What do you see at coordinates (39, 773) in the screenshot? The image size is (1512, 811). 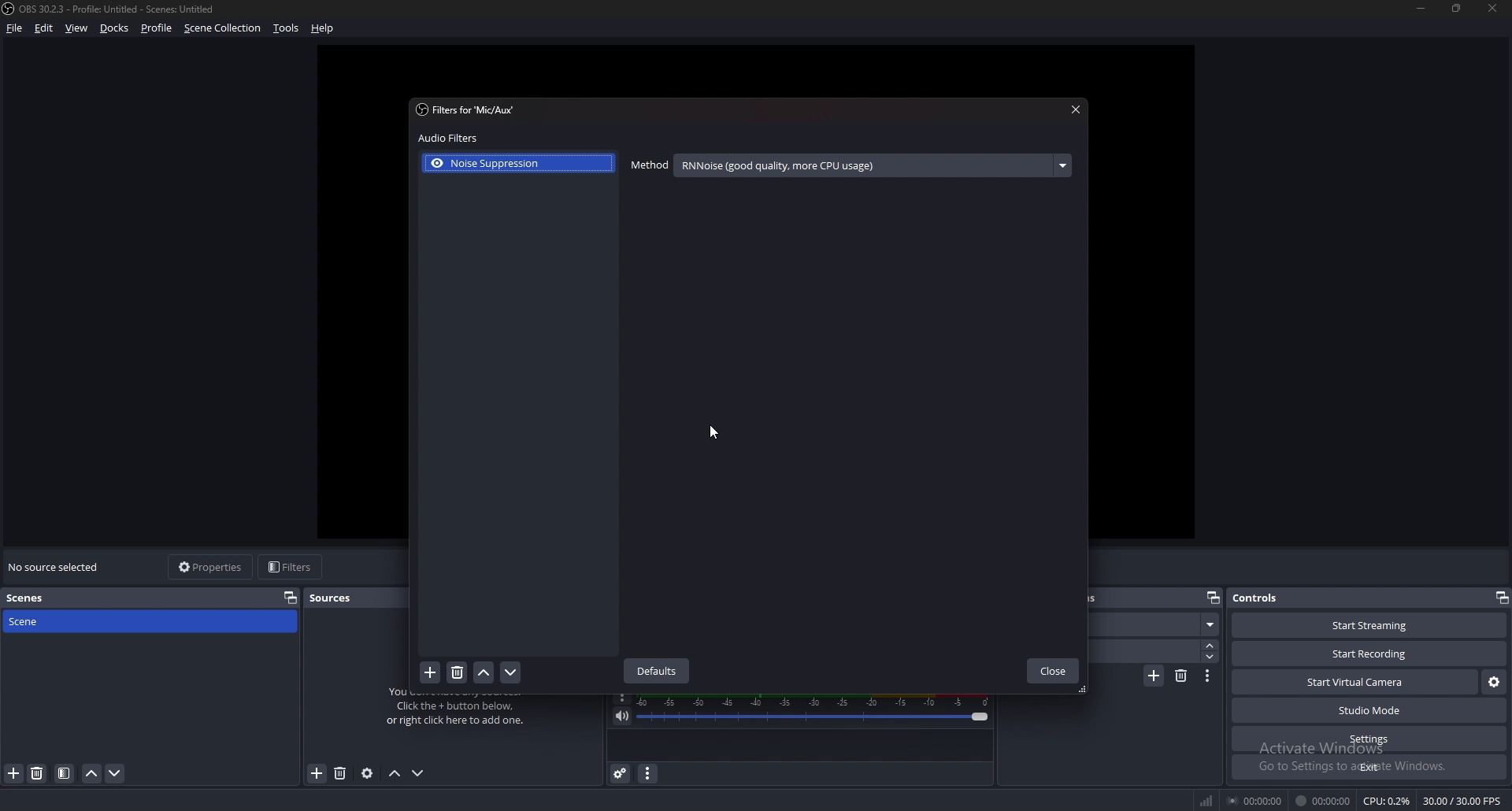 I see `delete scene` at bounding box center [39, 773].